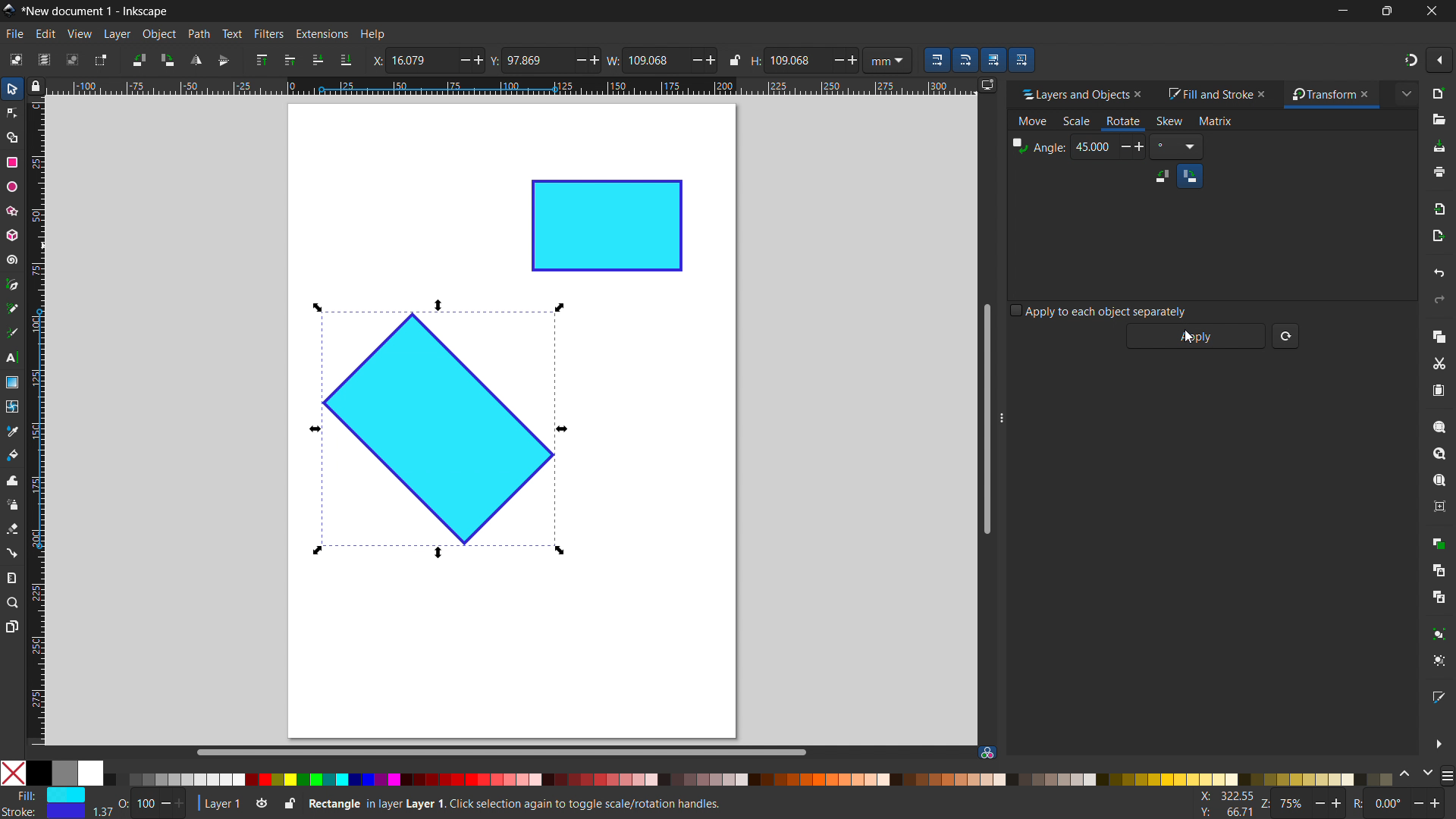 The image size is (1456, 819). Describe the element at coordinates (13, 577) in the screenshot. I see `measurement tool` at that location.